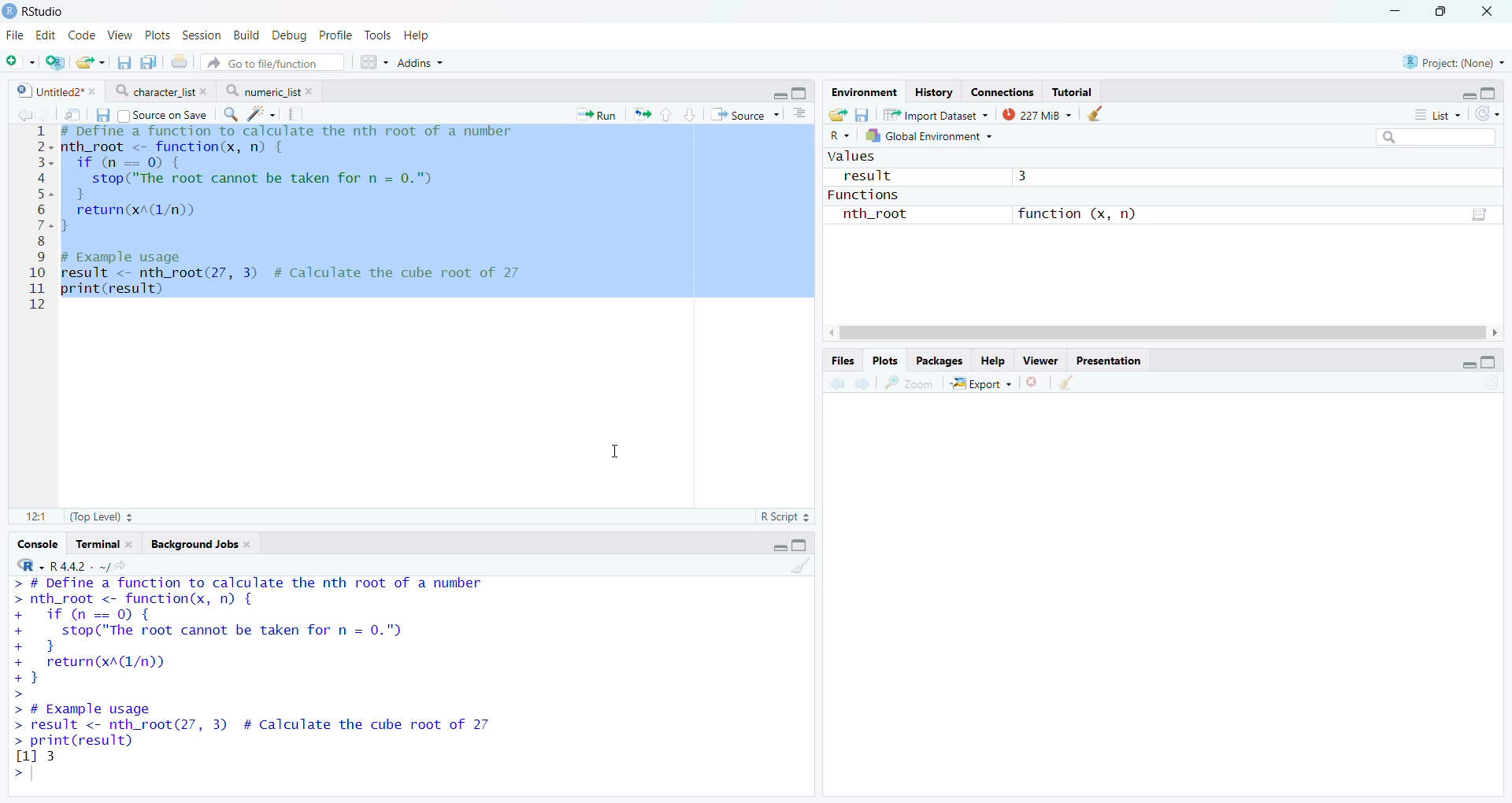  Describe the element at coordinates (1072, 91) in the screenshot. I see `Tutorial` at that location.